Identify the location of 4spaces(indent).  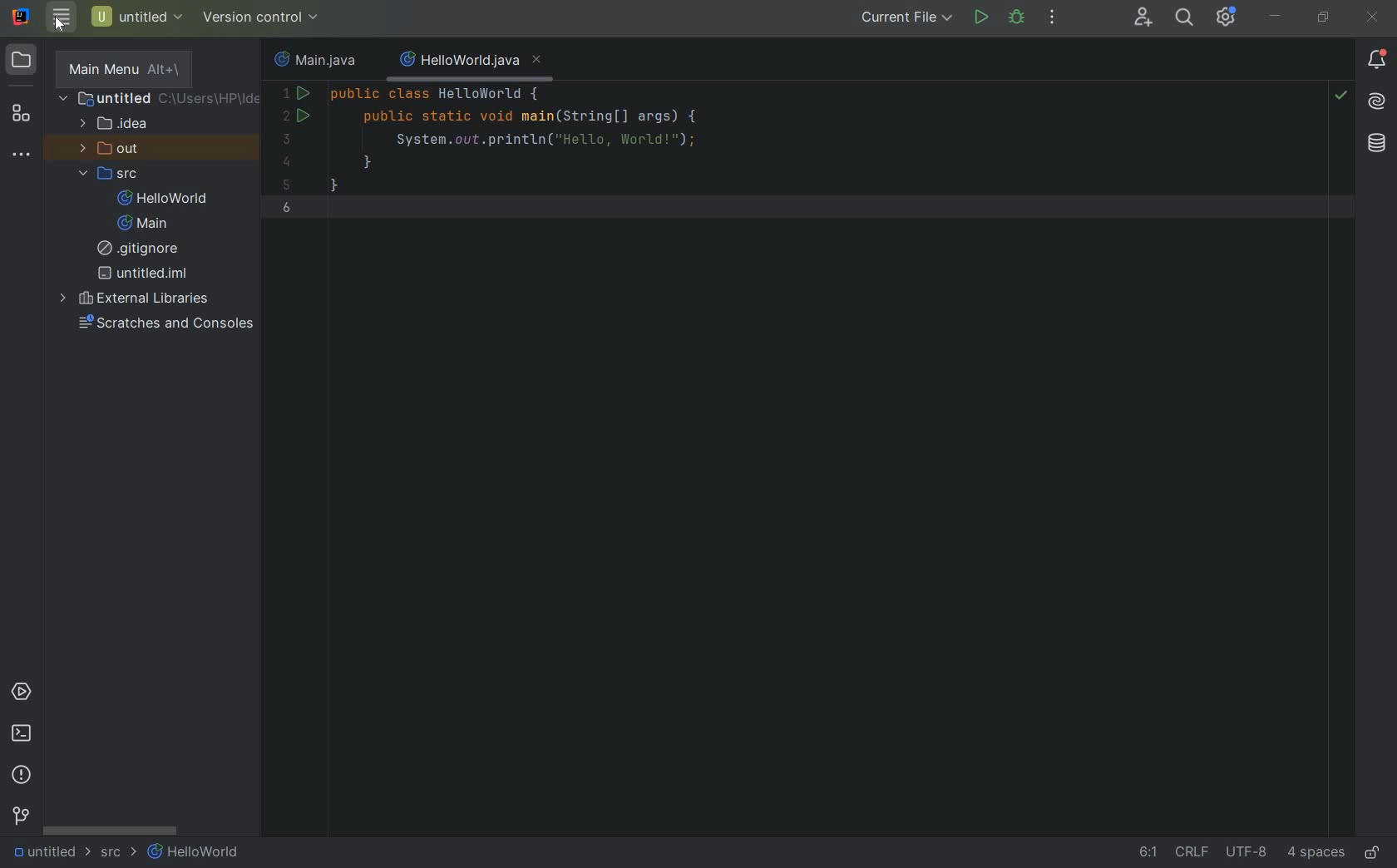
(1318, 855).